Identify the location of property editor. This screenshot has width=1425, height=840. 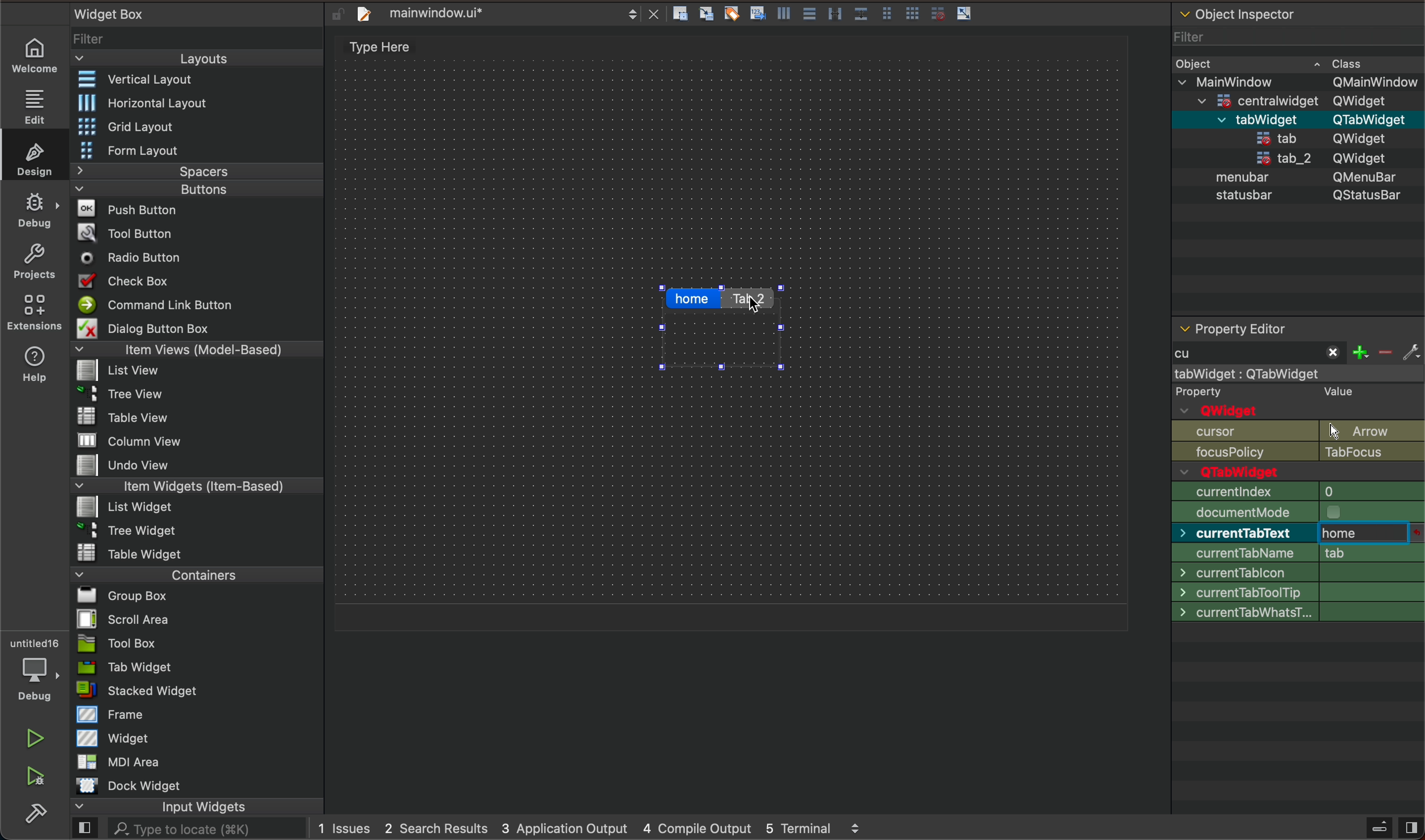
(1286, 326).